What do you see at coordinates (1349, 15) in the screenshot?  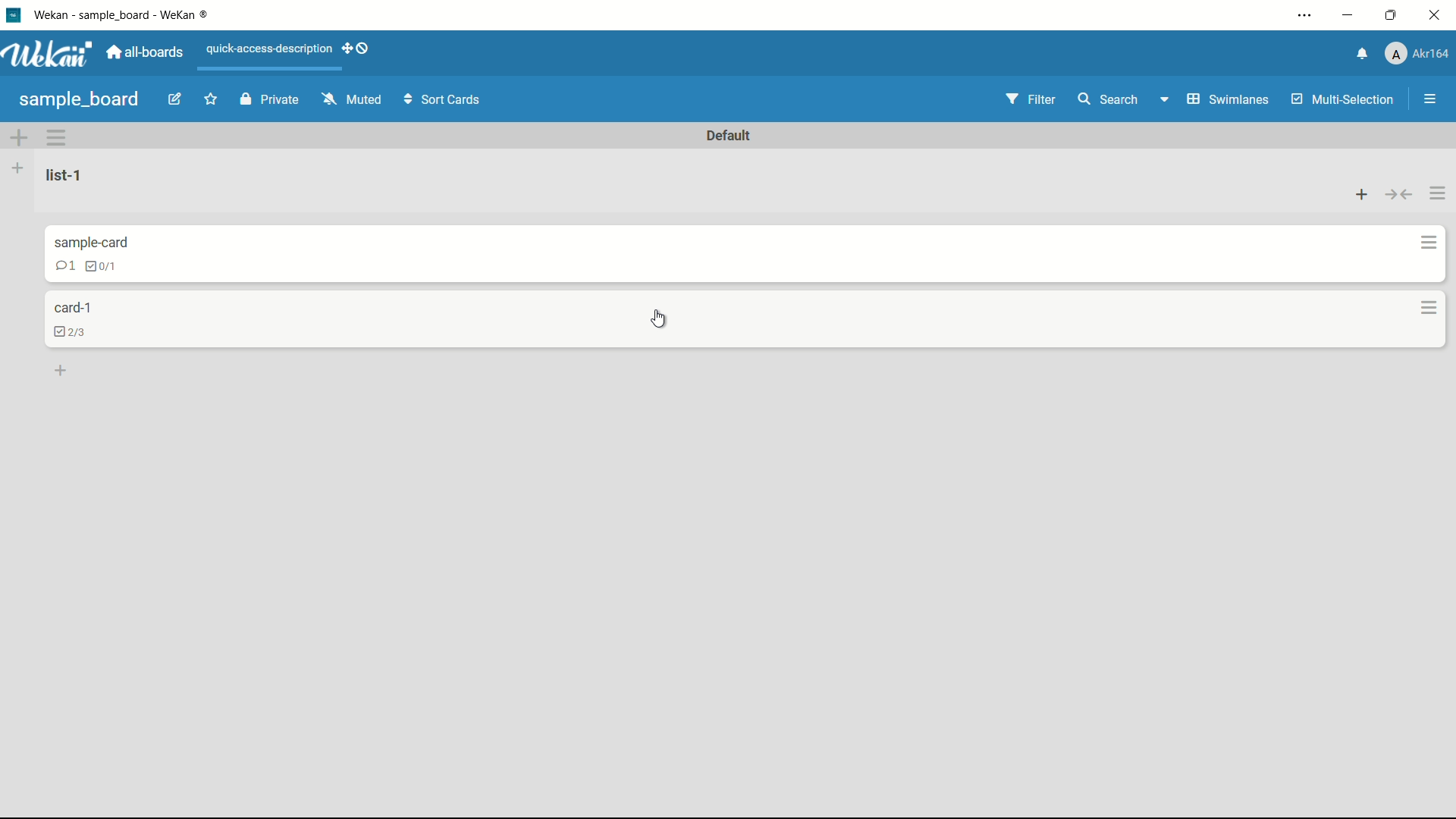 I see `minimize` at bounding box center [1349, 15].